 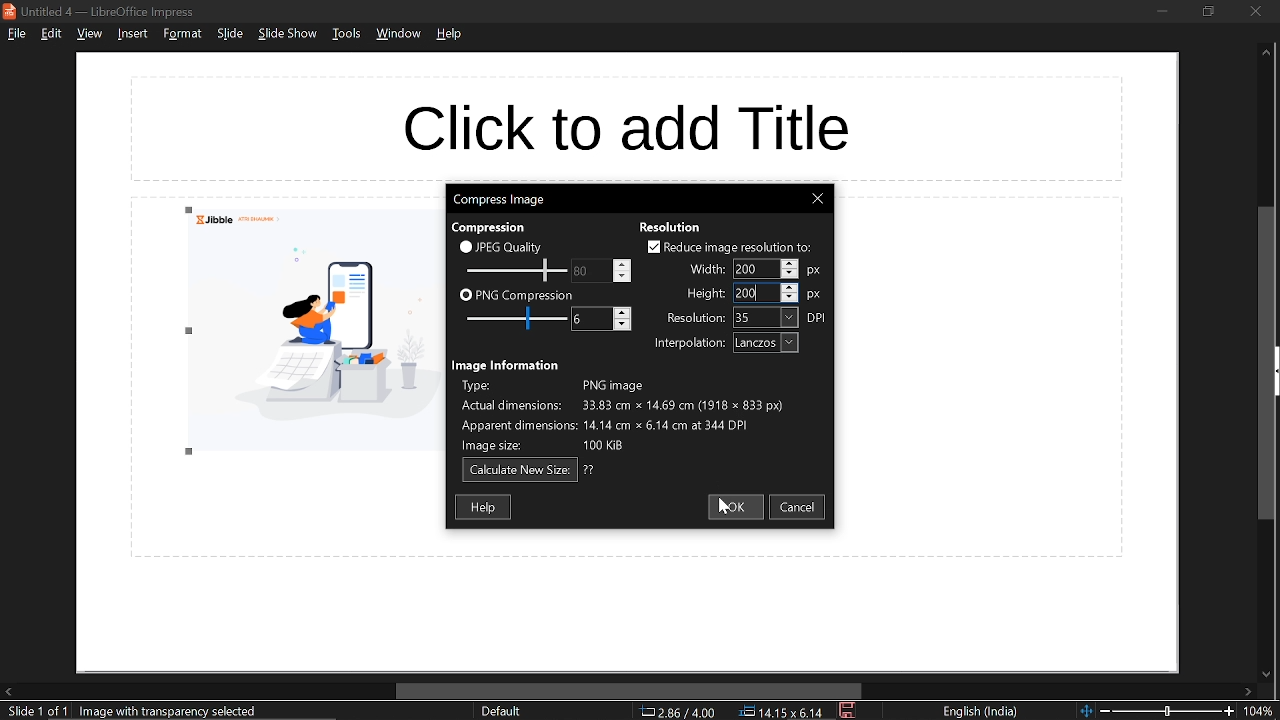 What do you see at coordinates (230, 34) in the screenshot?
I see `slide` at bounding box center [230, 34].